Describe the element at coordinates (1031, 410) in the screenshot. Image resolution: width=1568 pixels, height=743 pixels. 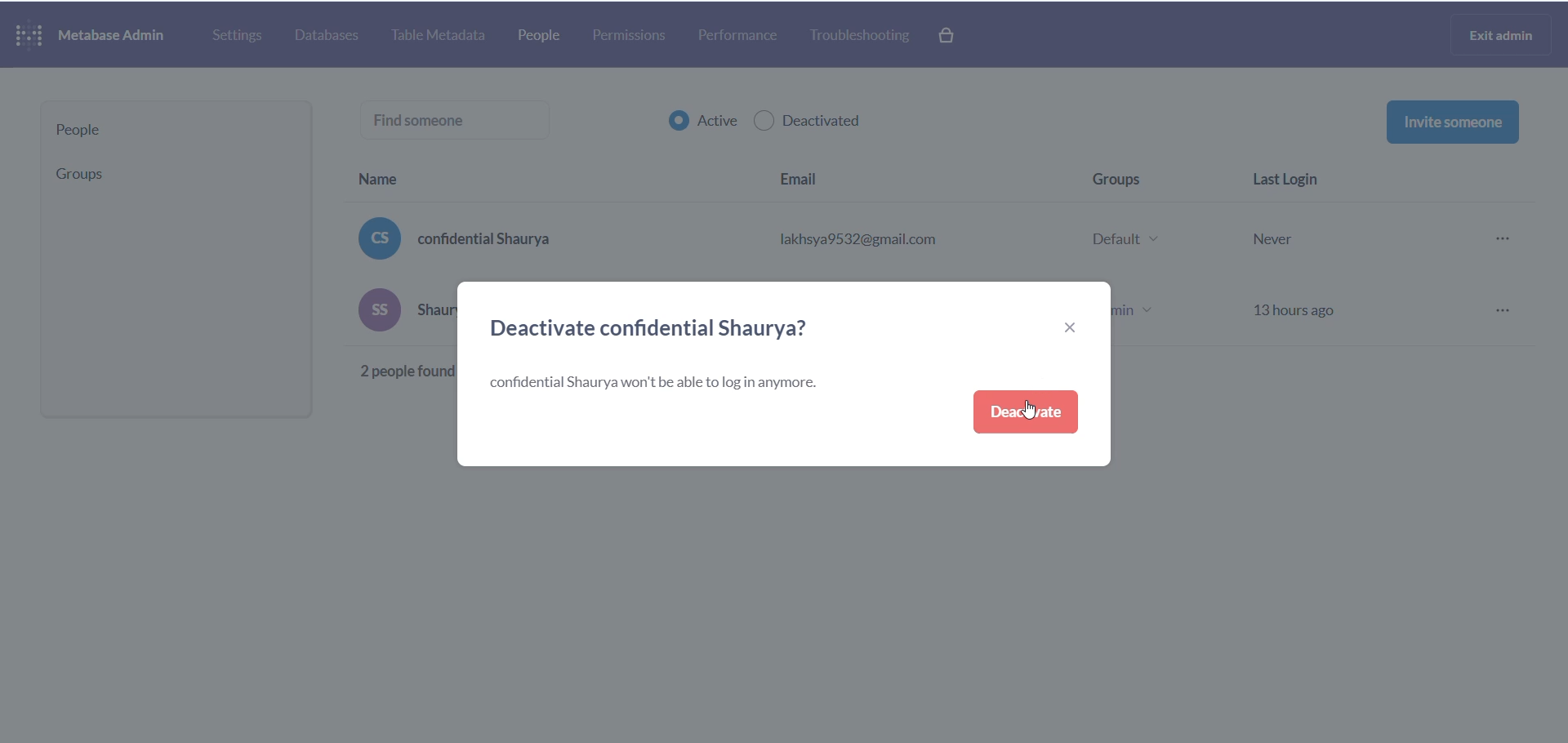
I see `cursor` at that location.